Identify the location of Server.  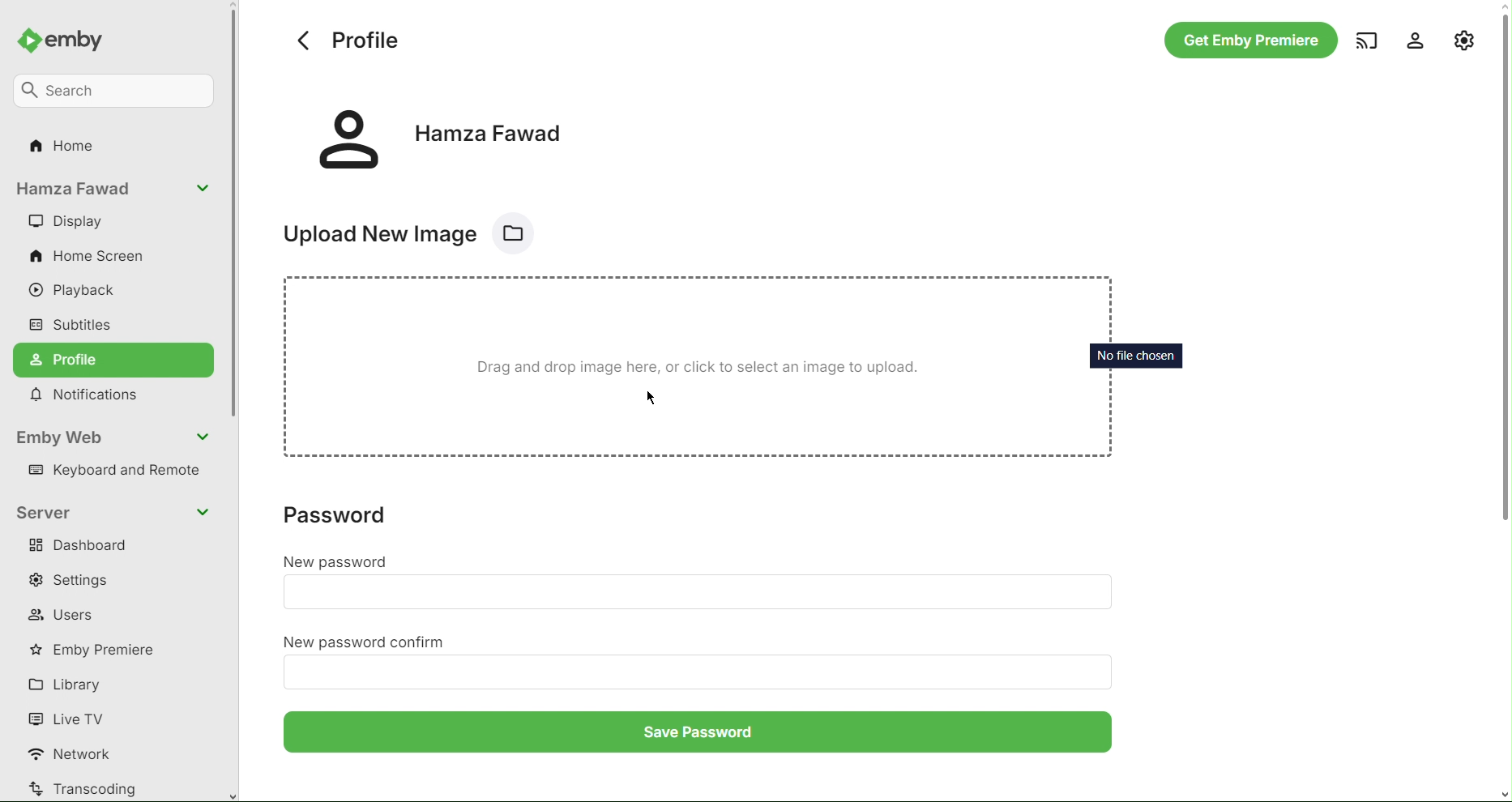
(115, 511).